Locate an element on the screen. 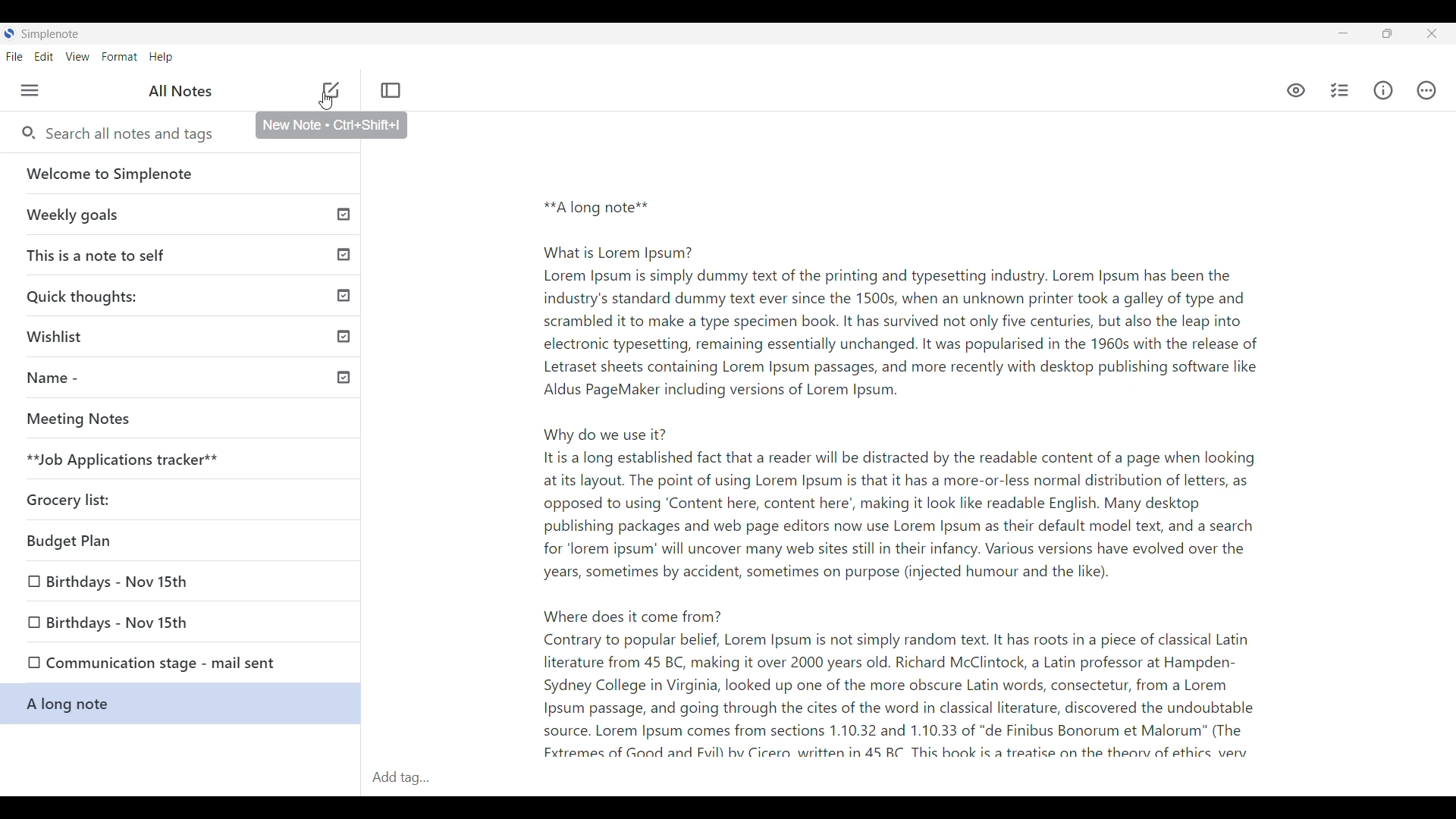  Actions is located at coordinates (1427, 90).